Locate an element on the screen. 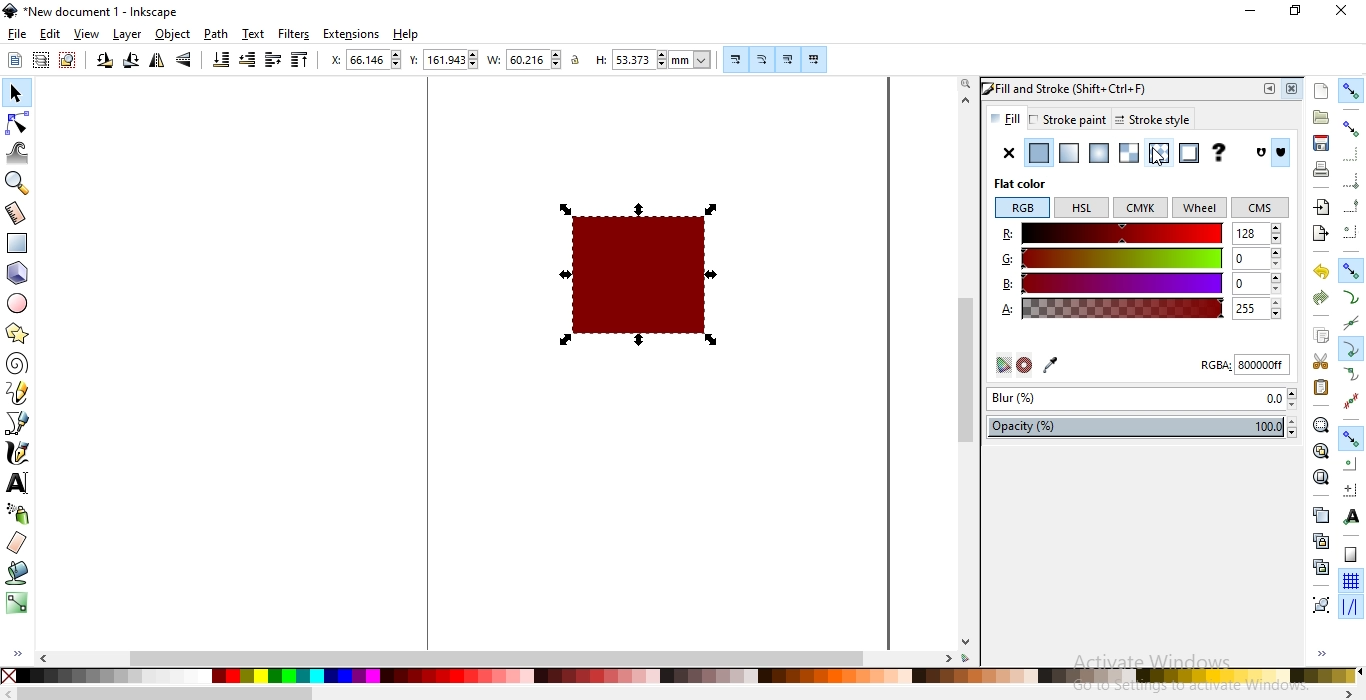 The width and height of the screenshot is (1366, 700). snap text anchors and baselines is located at coordinates (1349, 515).